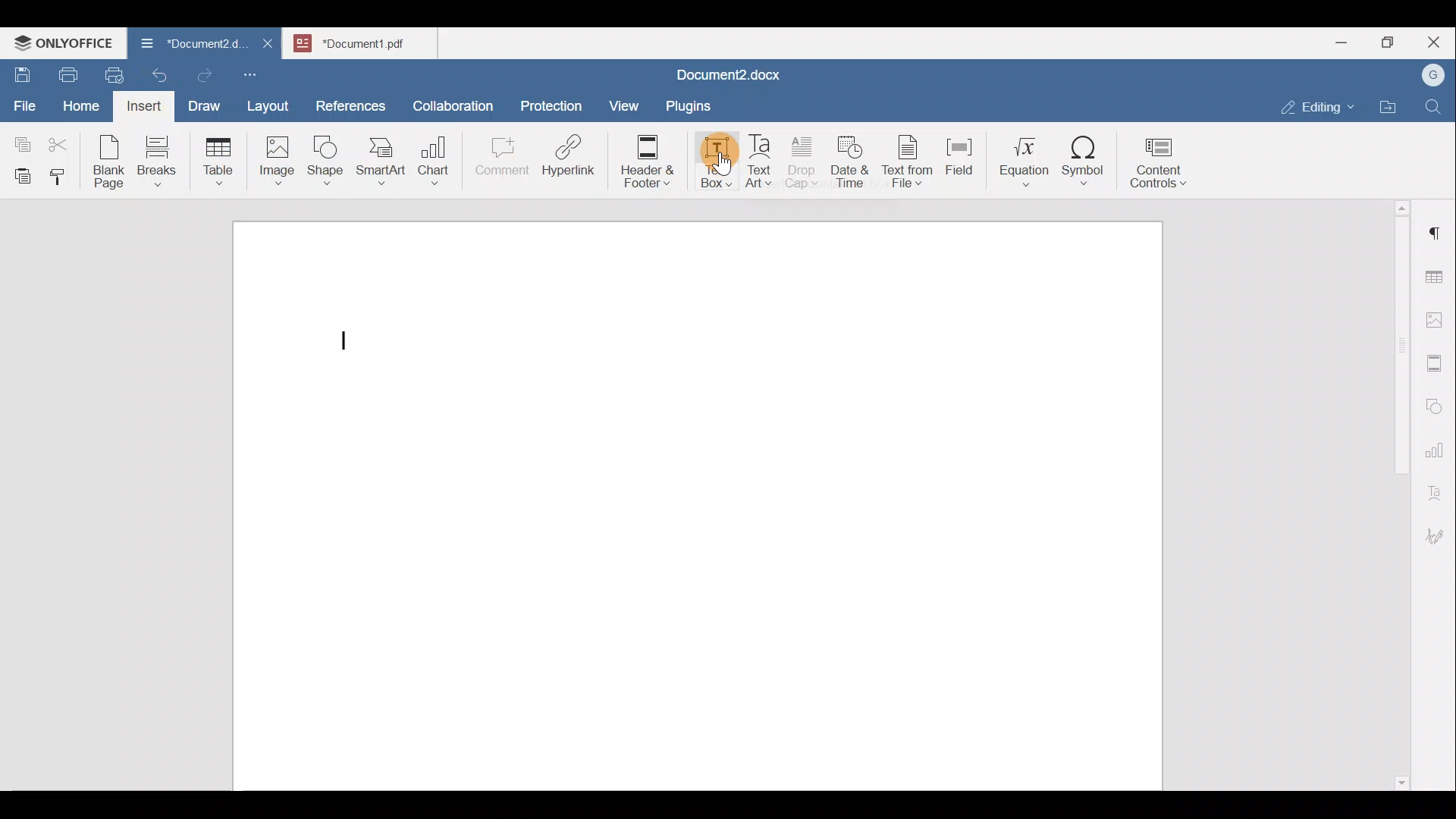  Describe the element at coordinates (219, 158) in the screenshot. I see `Table` at that location.